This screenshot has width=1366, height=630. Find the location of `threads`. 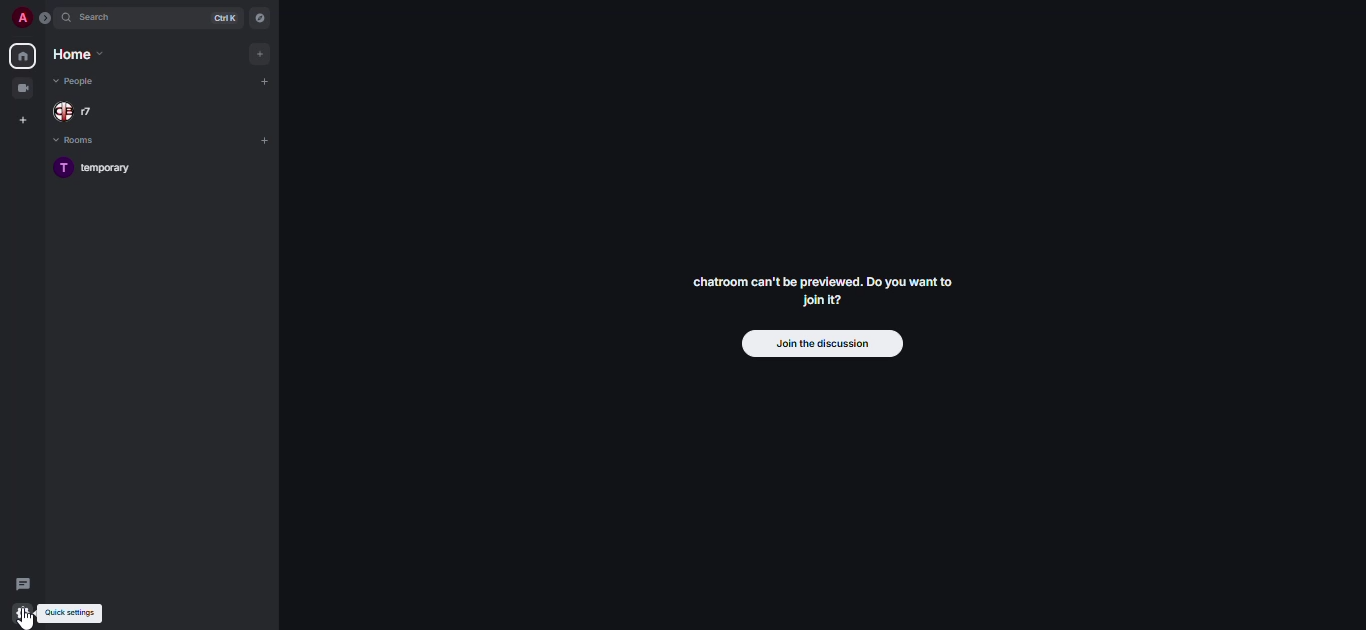

threads is located at coordinates (25, 583).